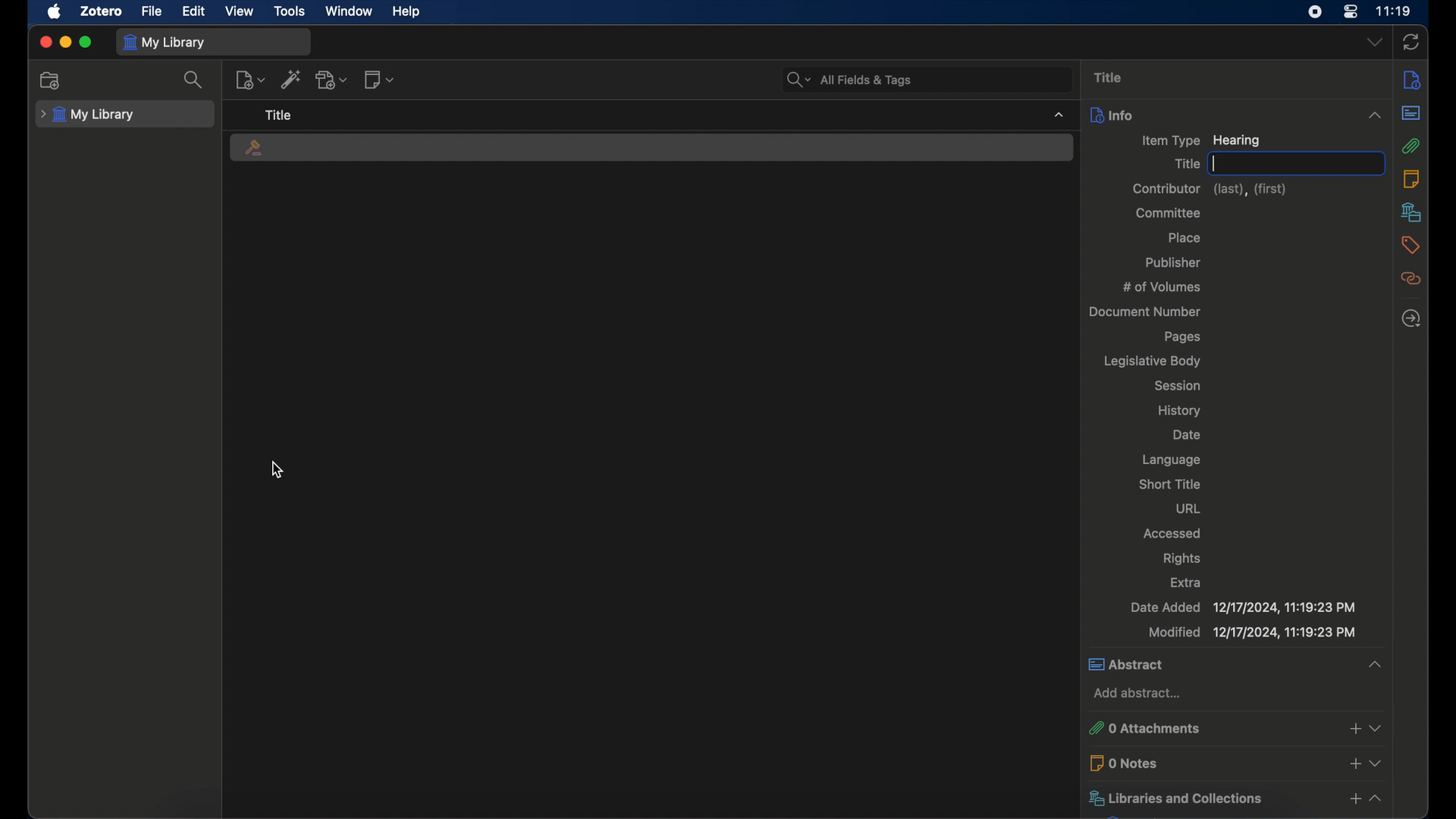 Image resolution: width=1456 pixels, height=819 pixels. What do you see at coordinates (193, 12) in the screenshot?
I see `edit` at bounding box center [193, 12].